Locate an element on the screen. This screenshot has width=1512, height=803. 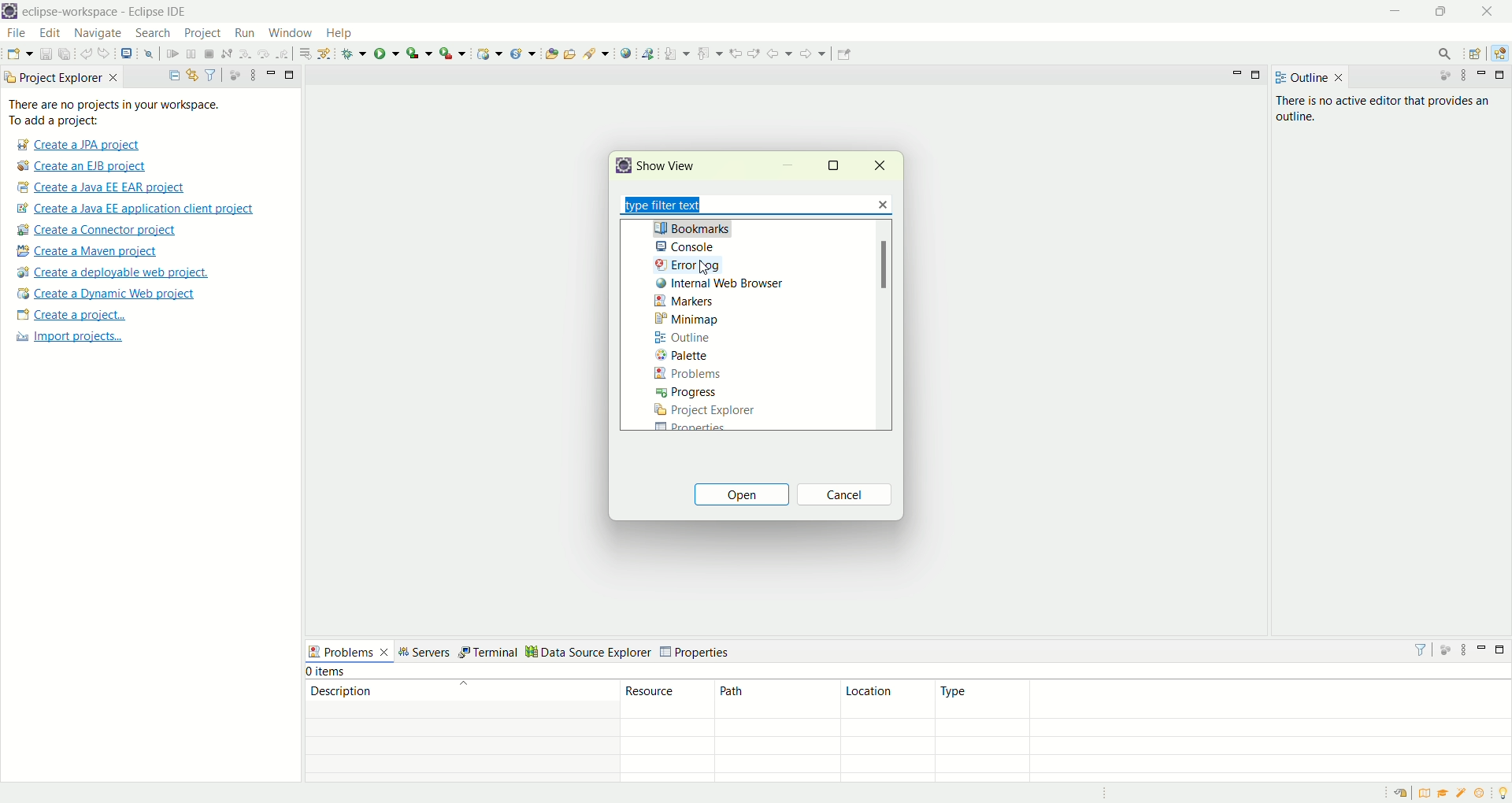
create a Java EE EAR project is located at coordinates (103, 188).